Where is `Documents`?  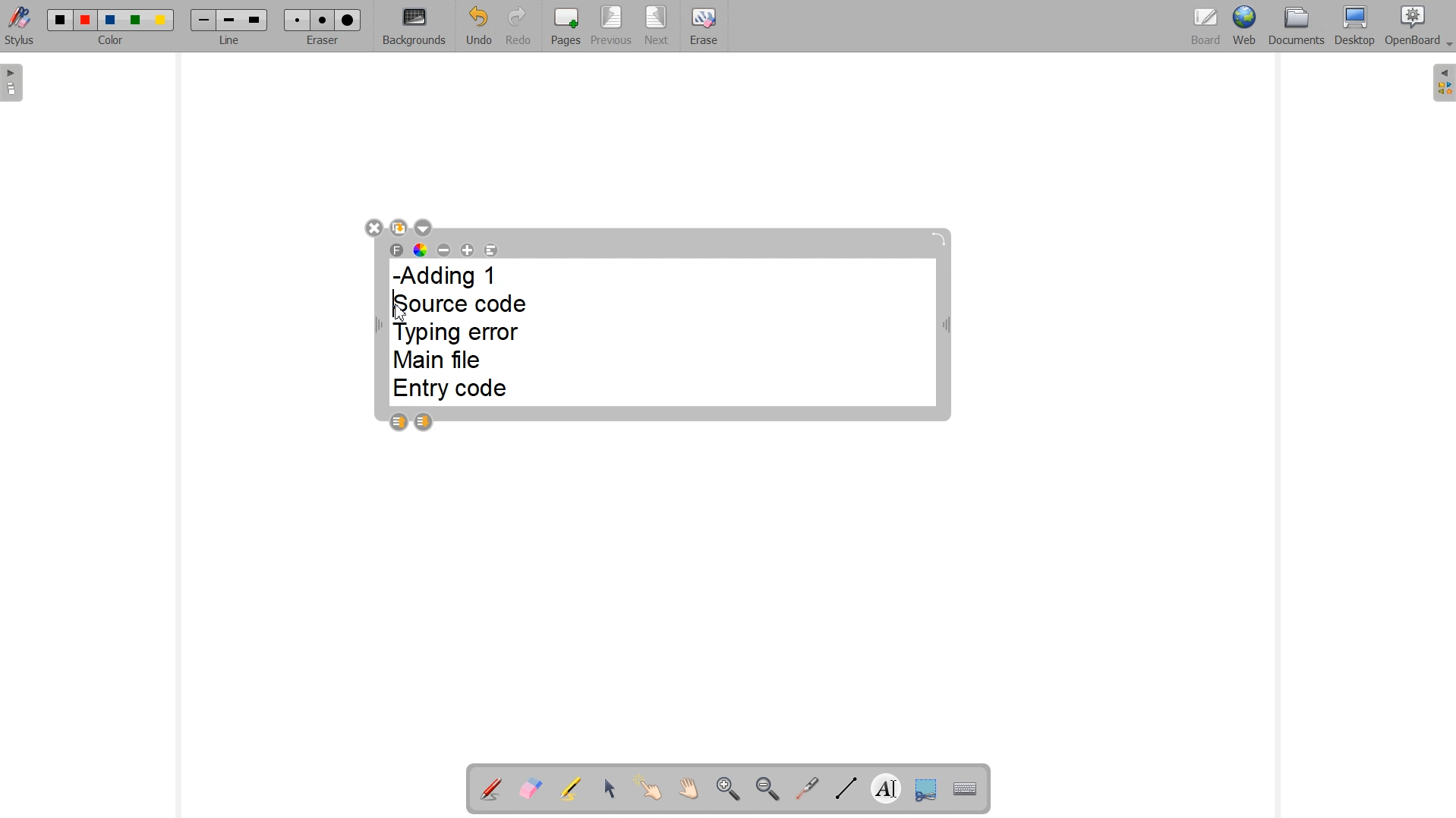
Documents is located at coordinates (1297, 27).